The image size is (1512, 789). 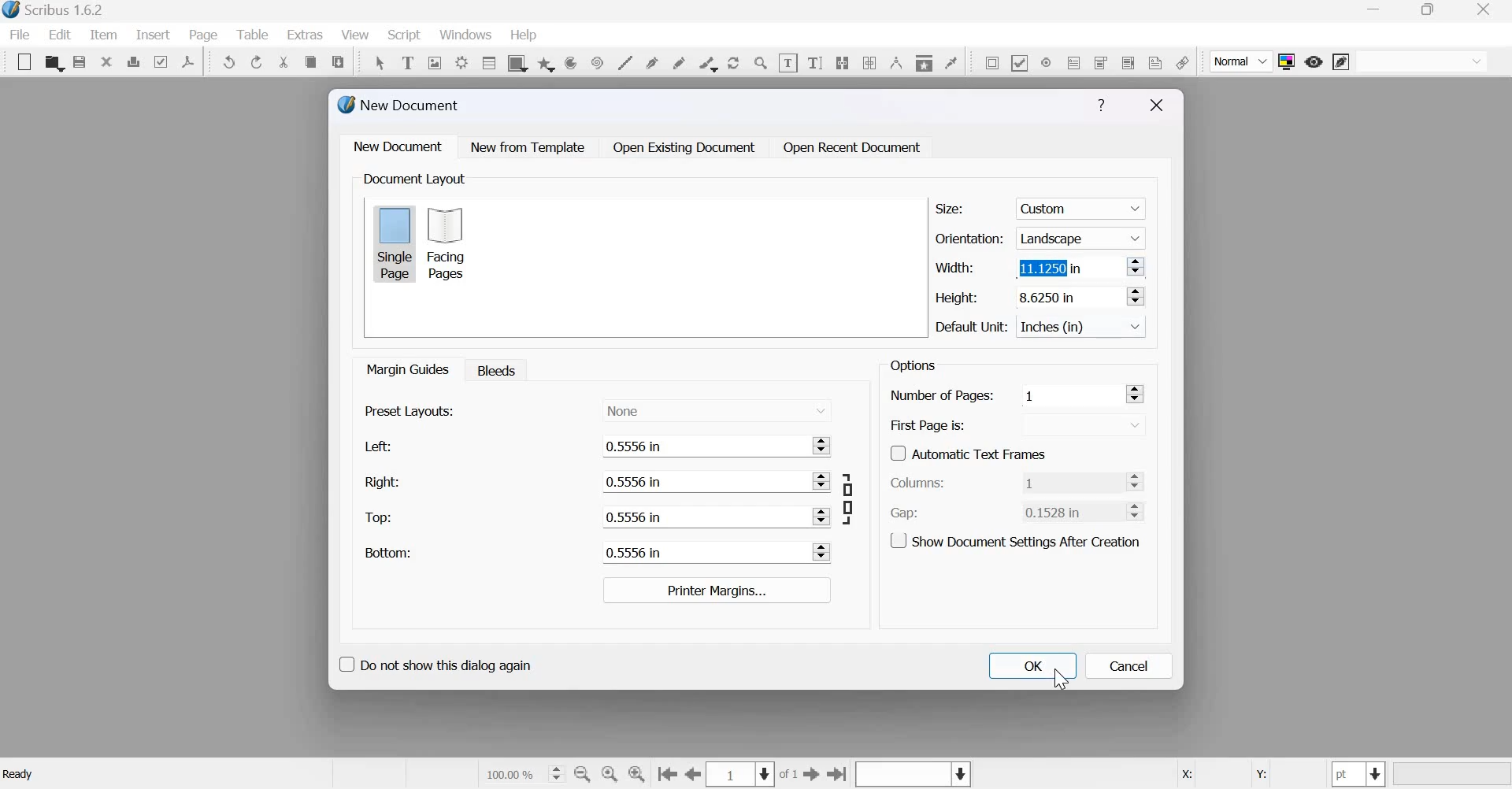 What do you see at coordinates (732, 61) in the screenshot?
I see `rotate item` at bounding box center [732, 61].